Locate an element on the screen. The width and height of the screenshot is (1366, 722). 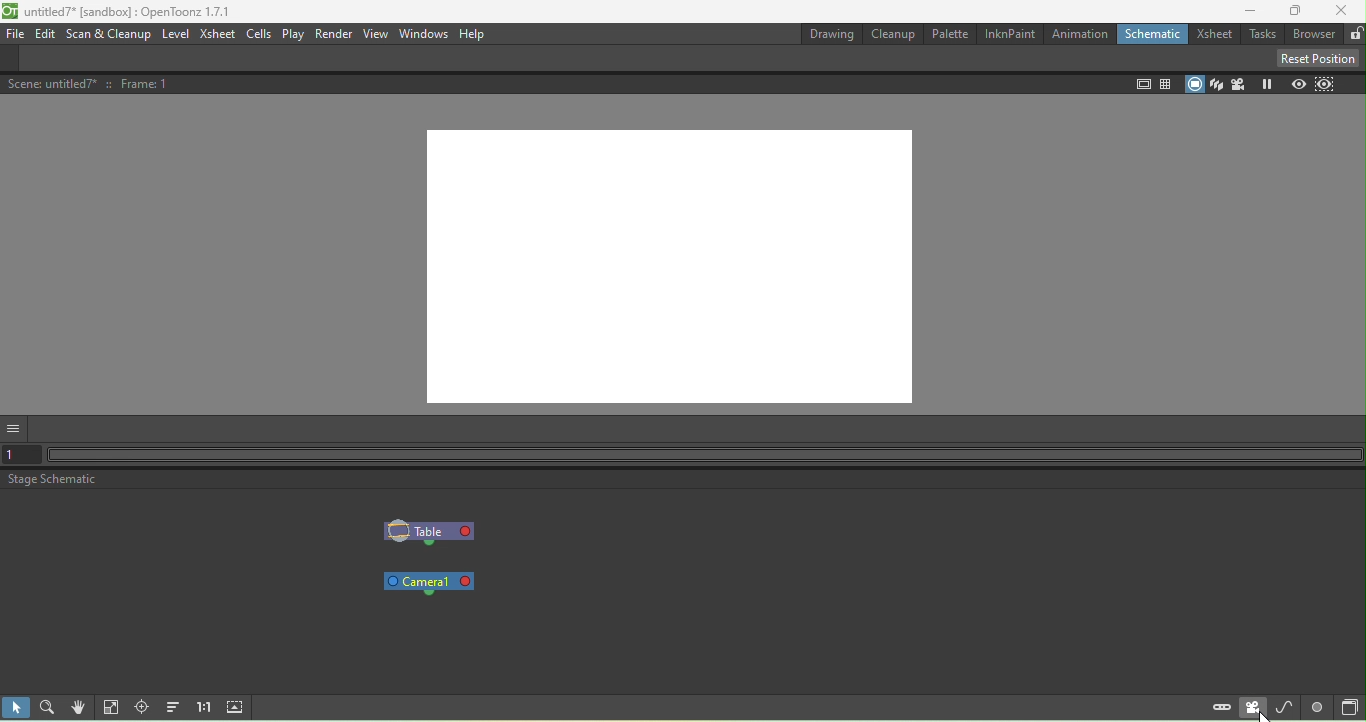
Browser is located at coordinates (1312, 36).